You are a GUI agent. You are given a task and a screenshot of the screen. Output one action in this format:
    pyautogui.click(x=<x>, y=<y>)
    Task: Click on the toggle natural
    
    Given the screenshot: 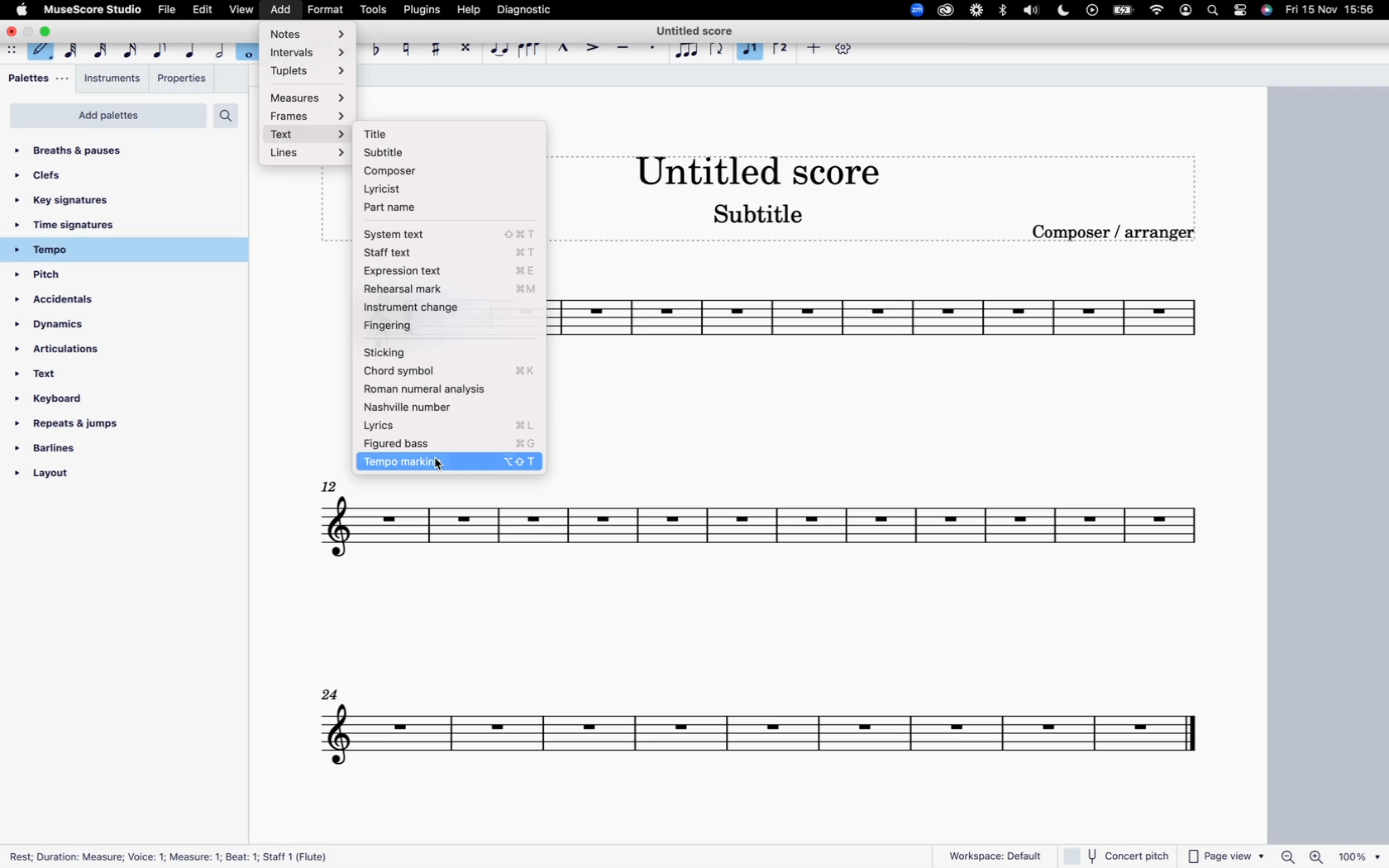 What is the action you would take?
    pyautogui.click(x=405, y=46)
    